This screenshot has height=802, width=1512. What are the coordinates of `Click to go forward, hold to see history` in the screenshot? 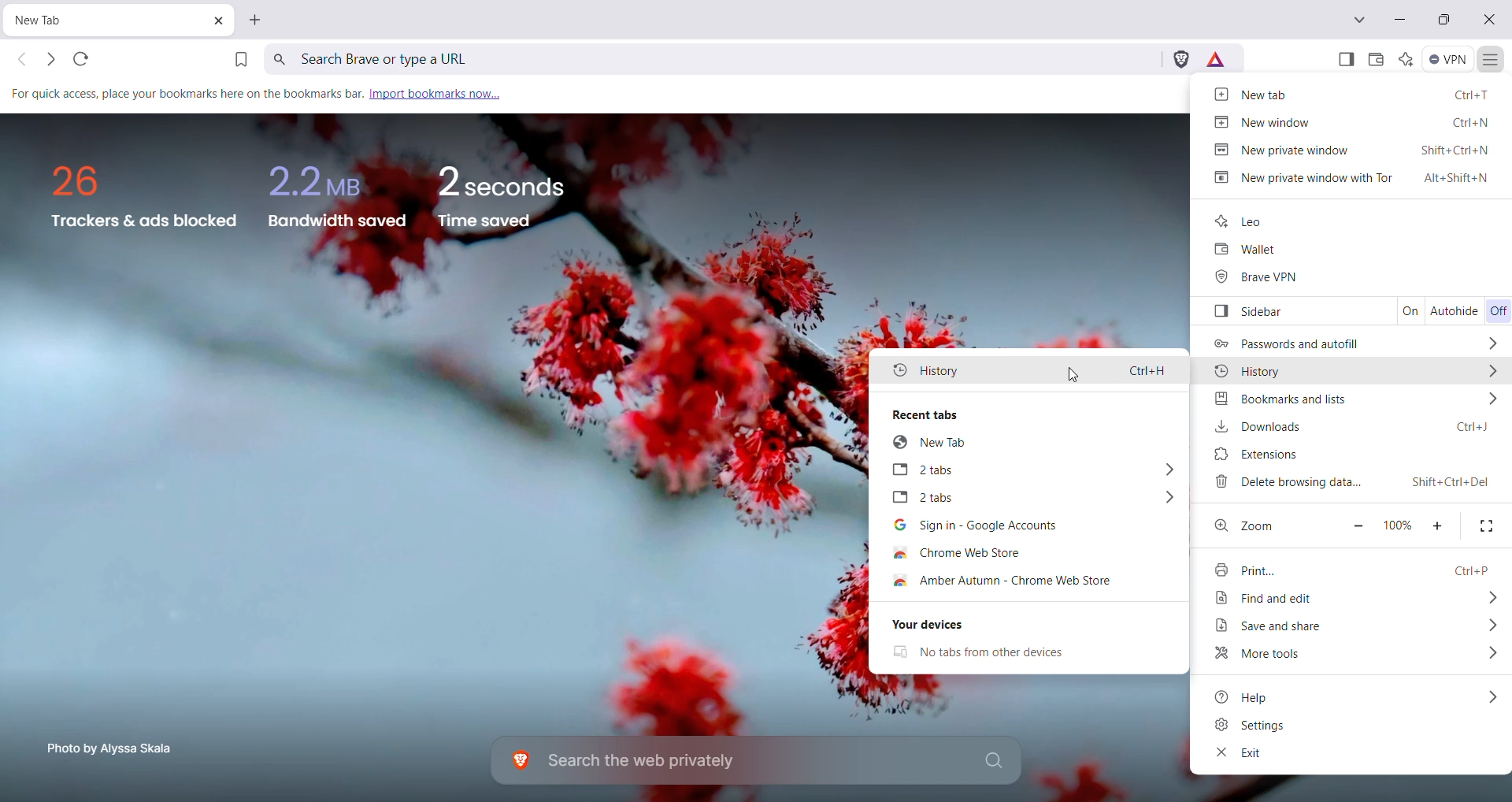 It's located at (52, 60).